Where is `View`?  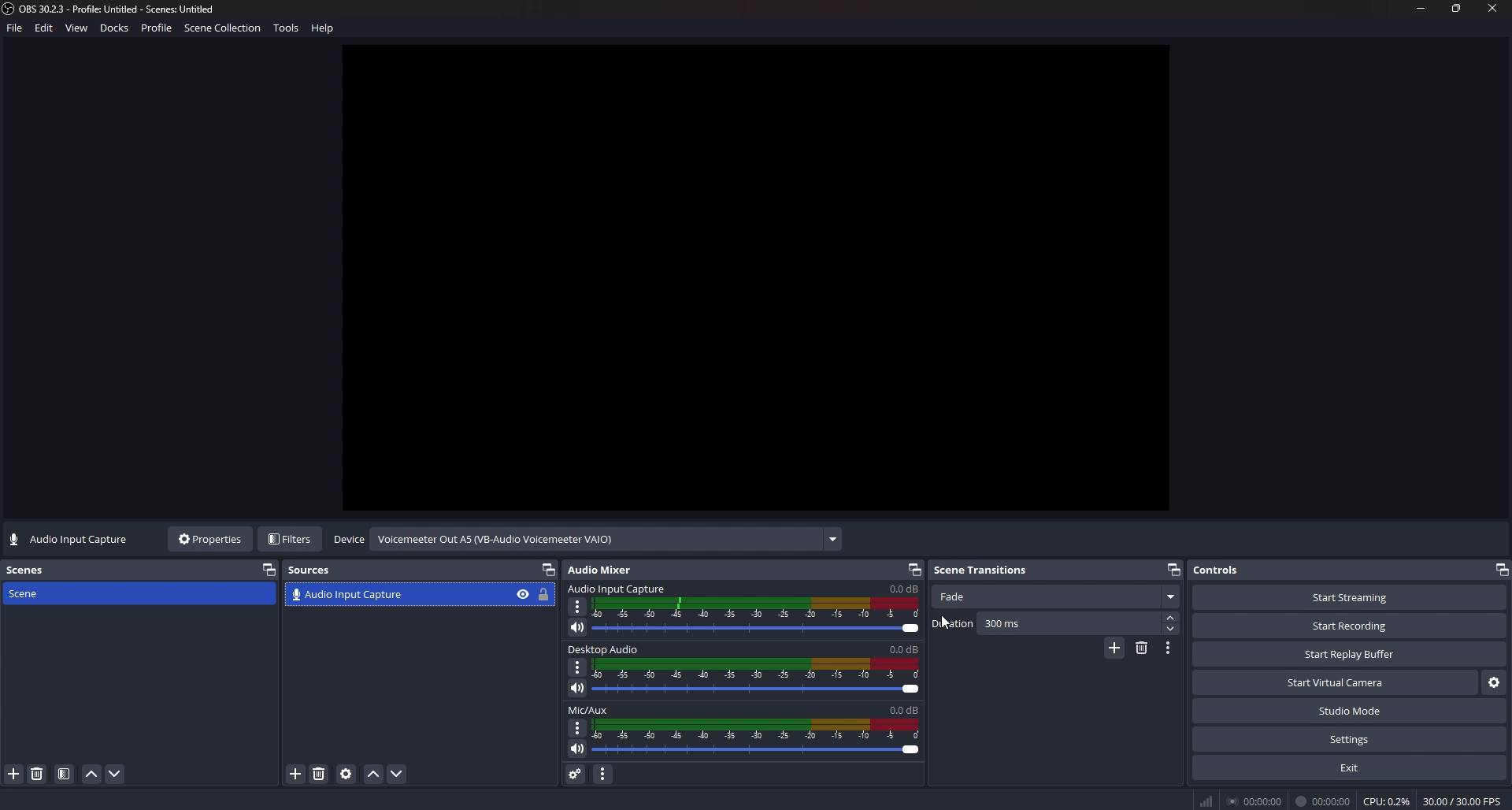 View is located at coordinates (78, 28).